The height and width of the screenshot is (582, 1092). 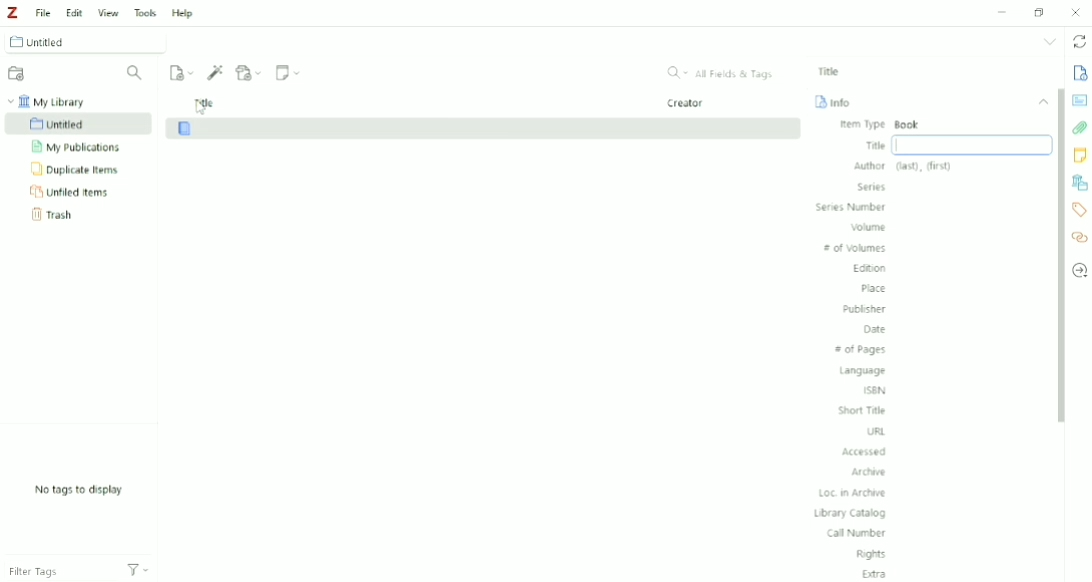 What do you see at coordinates (1076, 12) in the screenshot?
I see `Close` at bounding box center [1076, 12].